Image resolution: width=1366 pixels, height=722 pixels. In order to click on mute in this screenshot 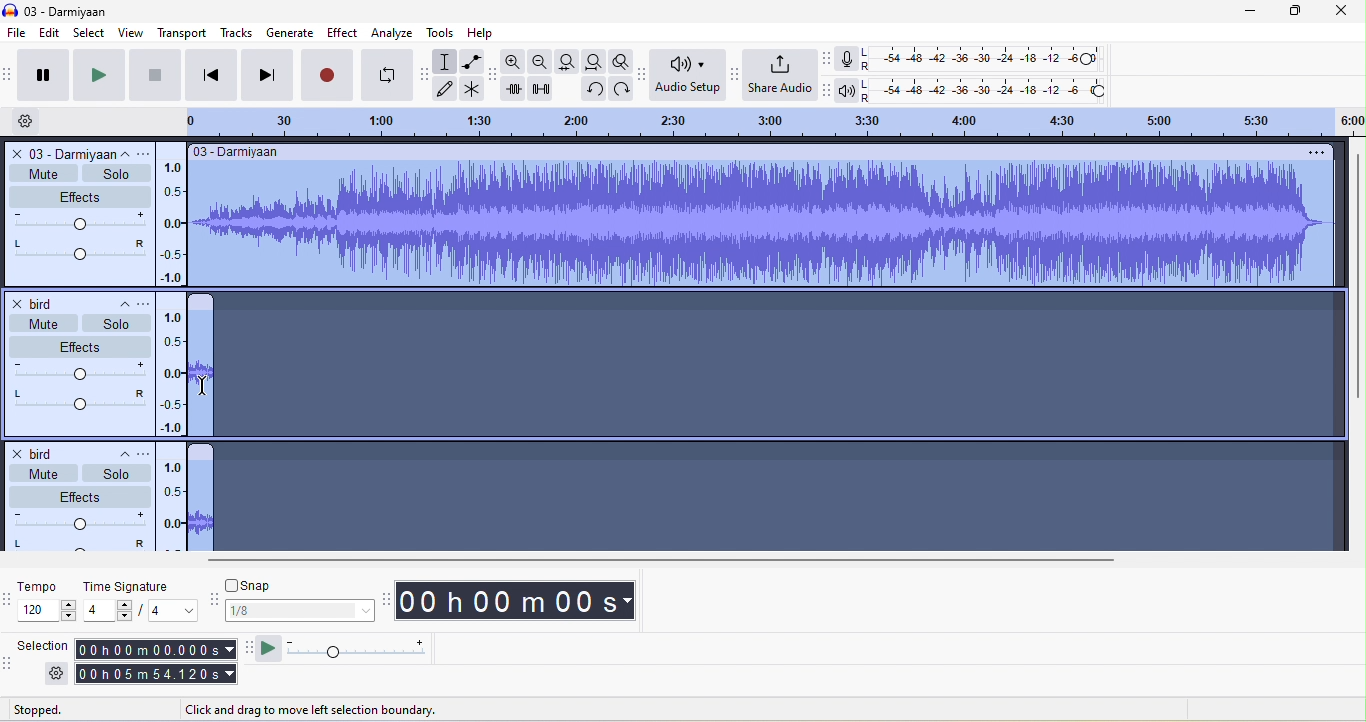, I will do `click(39, 324)`.